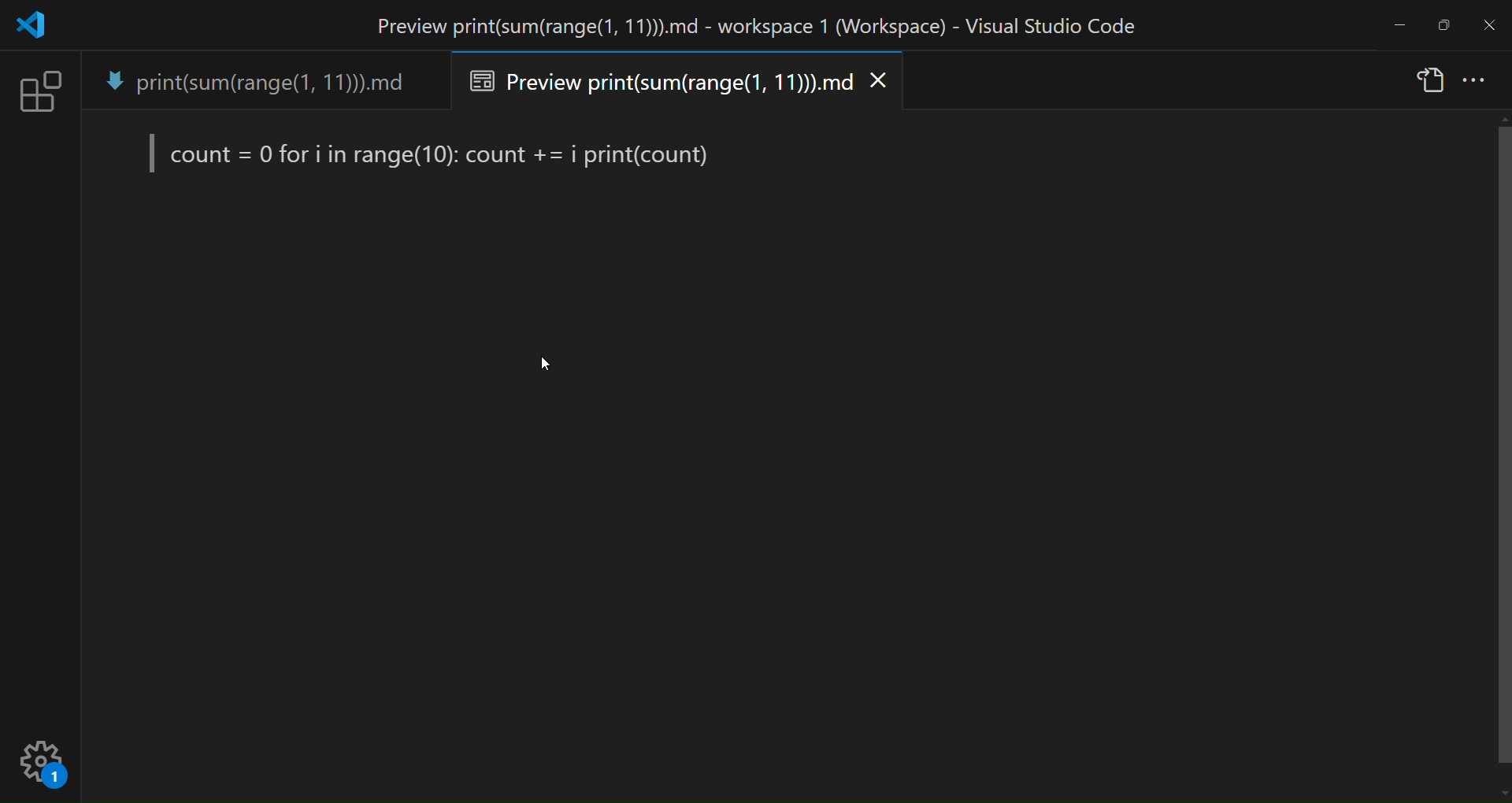  Describe the element at coordinates (760, 27) in the screenshot. I see `title` at that location.